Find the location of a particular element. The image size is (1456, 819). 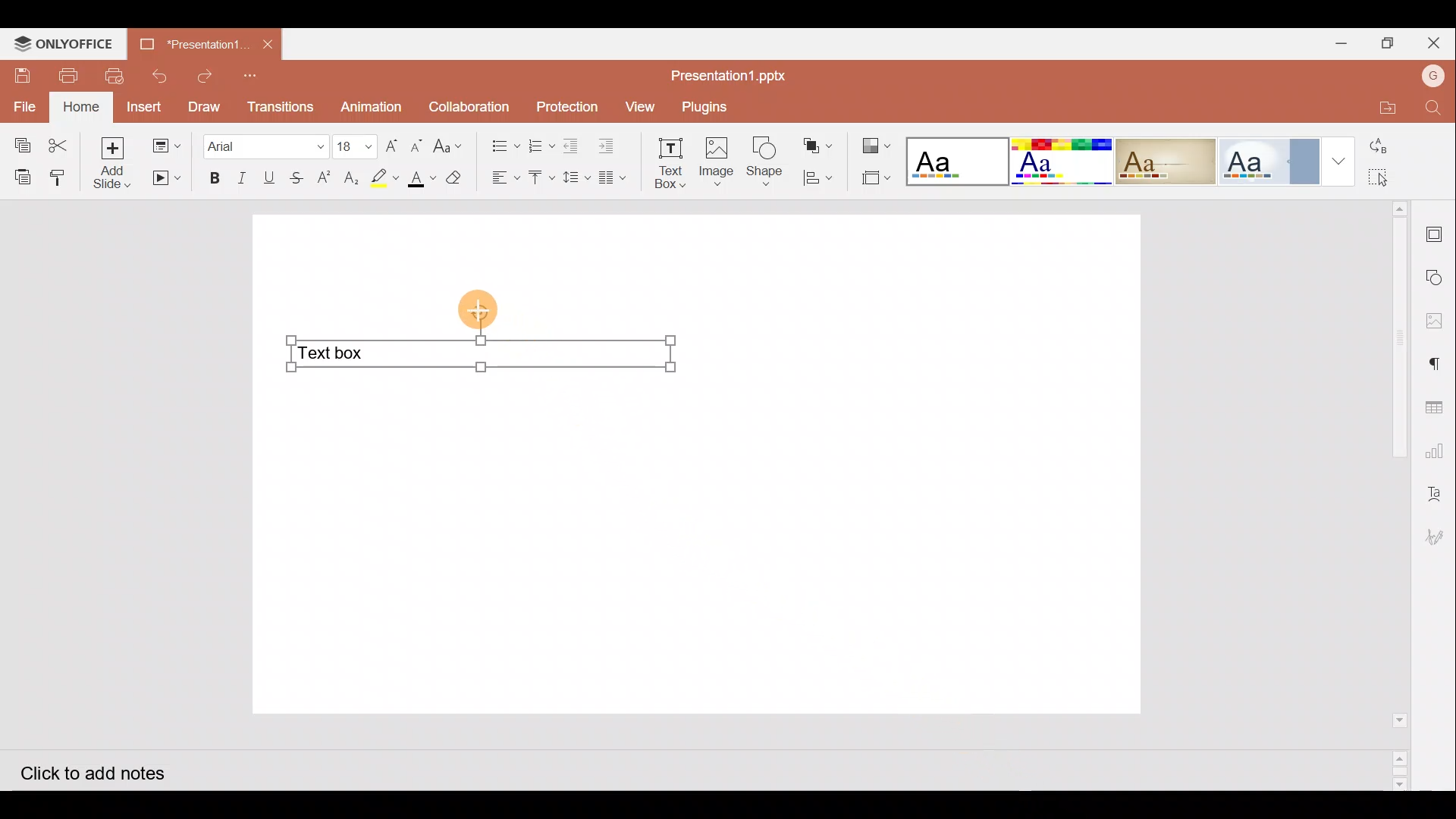

Decrease indent is located at coordinates (573, 145).